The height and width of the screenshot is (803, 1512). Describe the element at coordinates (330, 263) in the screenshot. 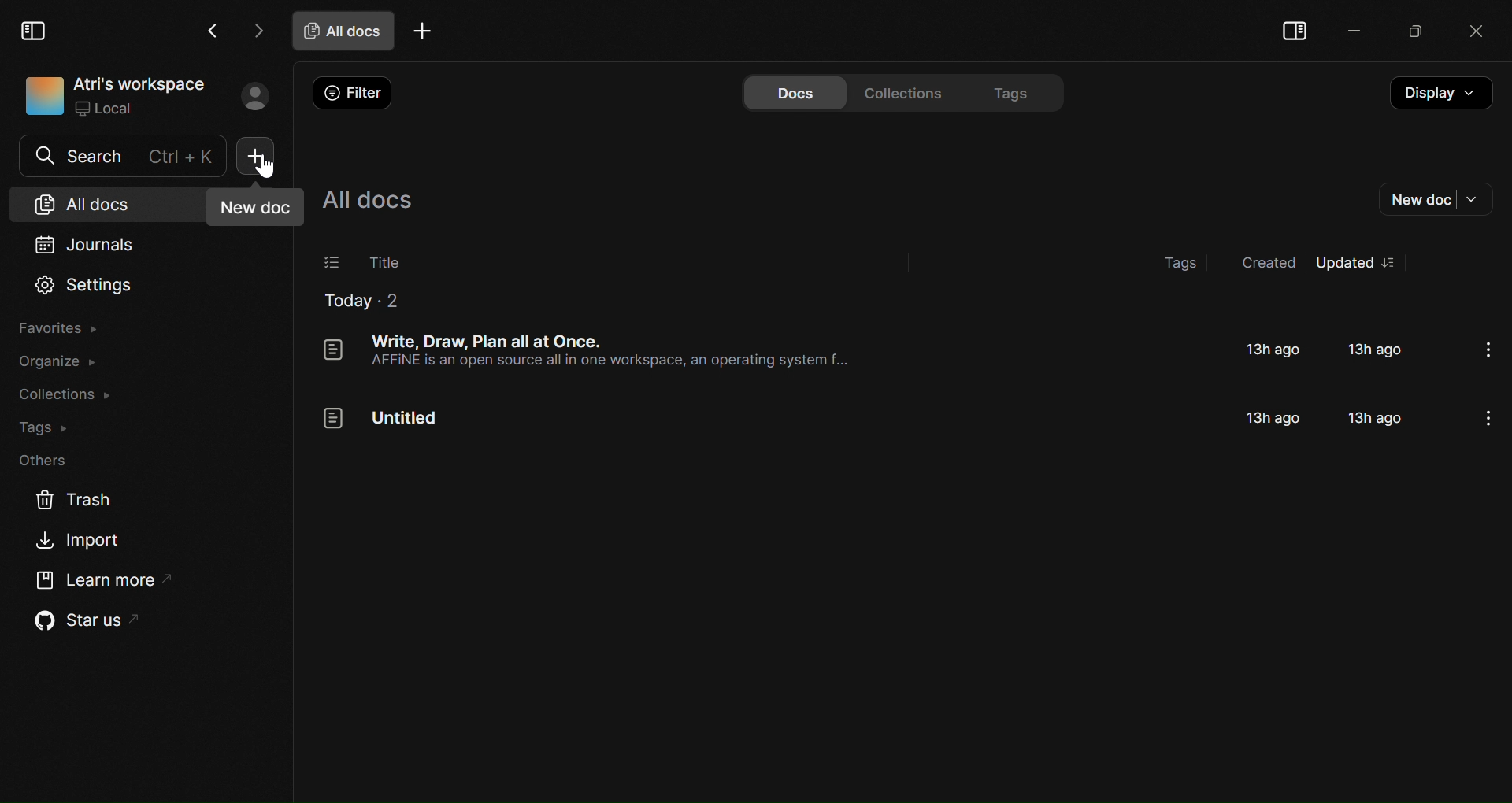

I see `Select documents` at that location.